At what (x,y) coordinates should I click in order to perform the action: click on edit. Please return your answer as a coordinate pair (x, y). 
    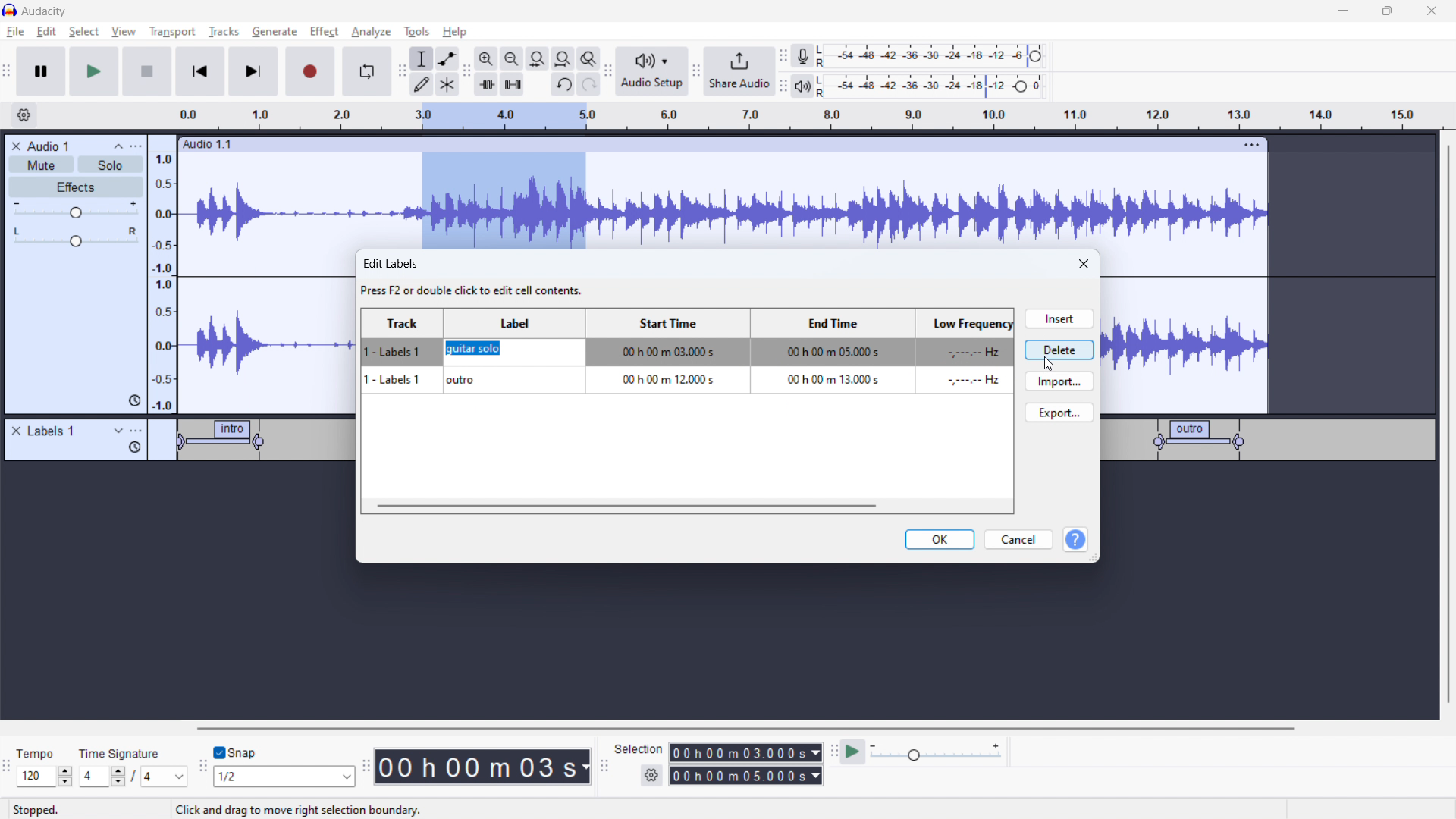
    Looking at the image, I should click on (46, 32).